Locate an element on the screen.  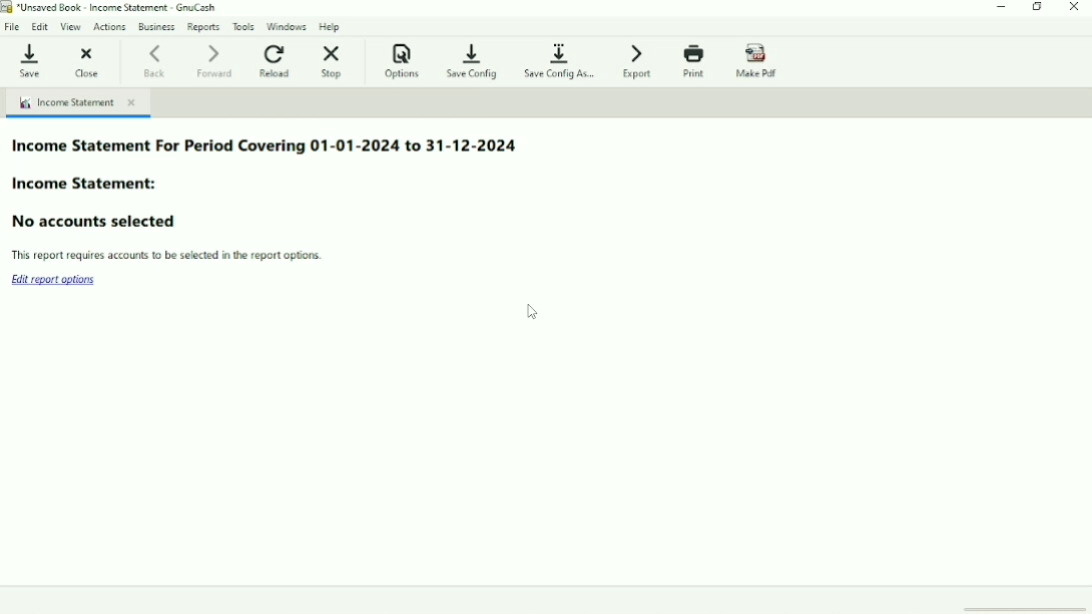
Actions is located at coordinates (111, 27).